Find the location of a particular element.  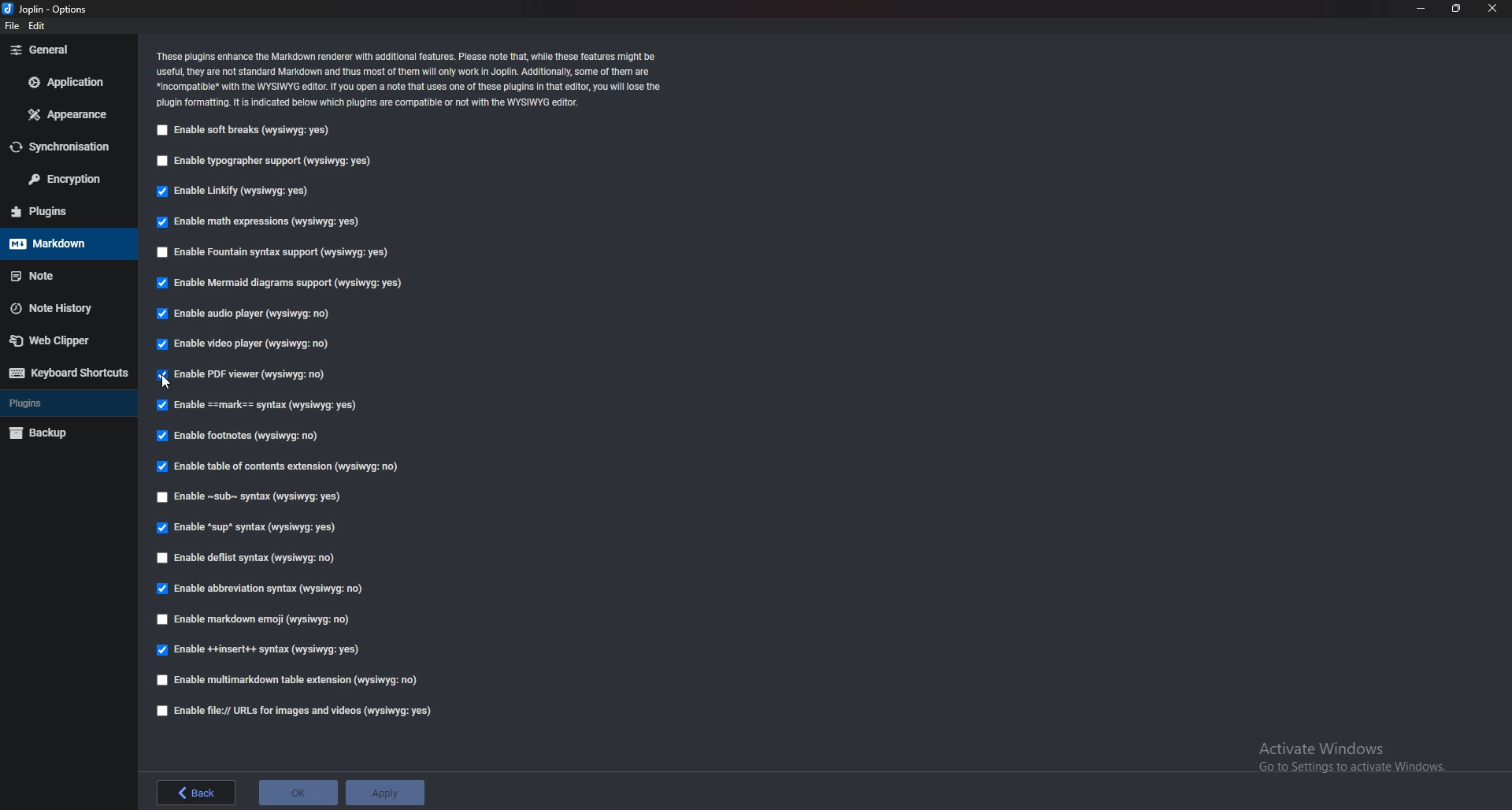

Enable typographer support is located at coordinates (271, 161).